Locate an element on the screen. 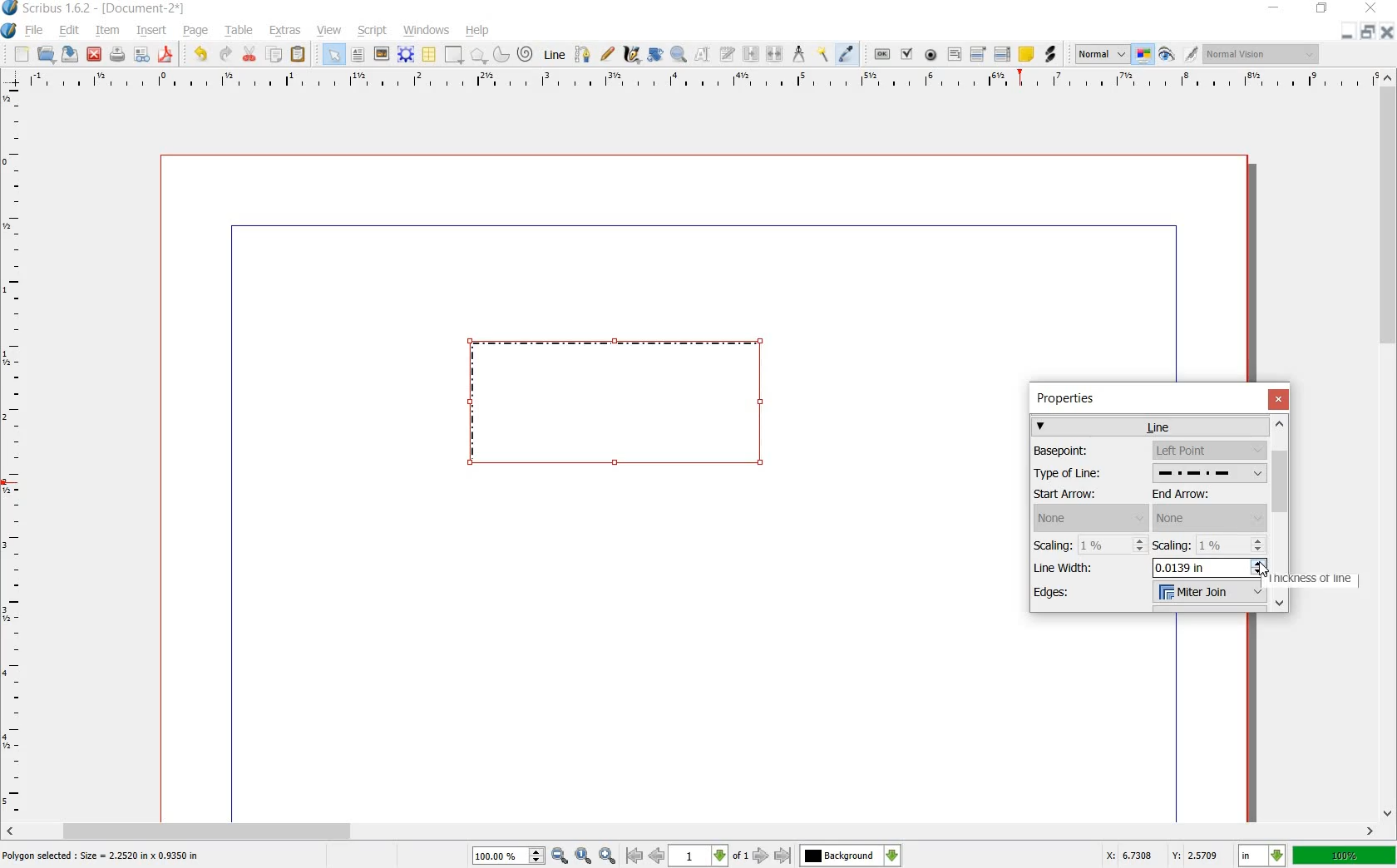 This screenshot has height=868, width=1397. line is located at coordinates (1152, 426).